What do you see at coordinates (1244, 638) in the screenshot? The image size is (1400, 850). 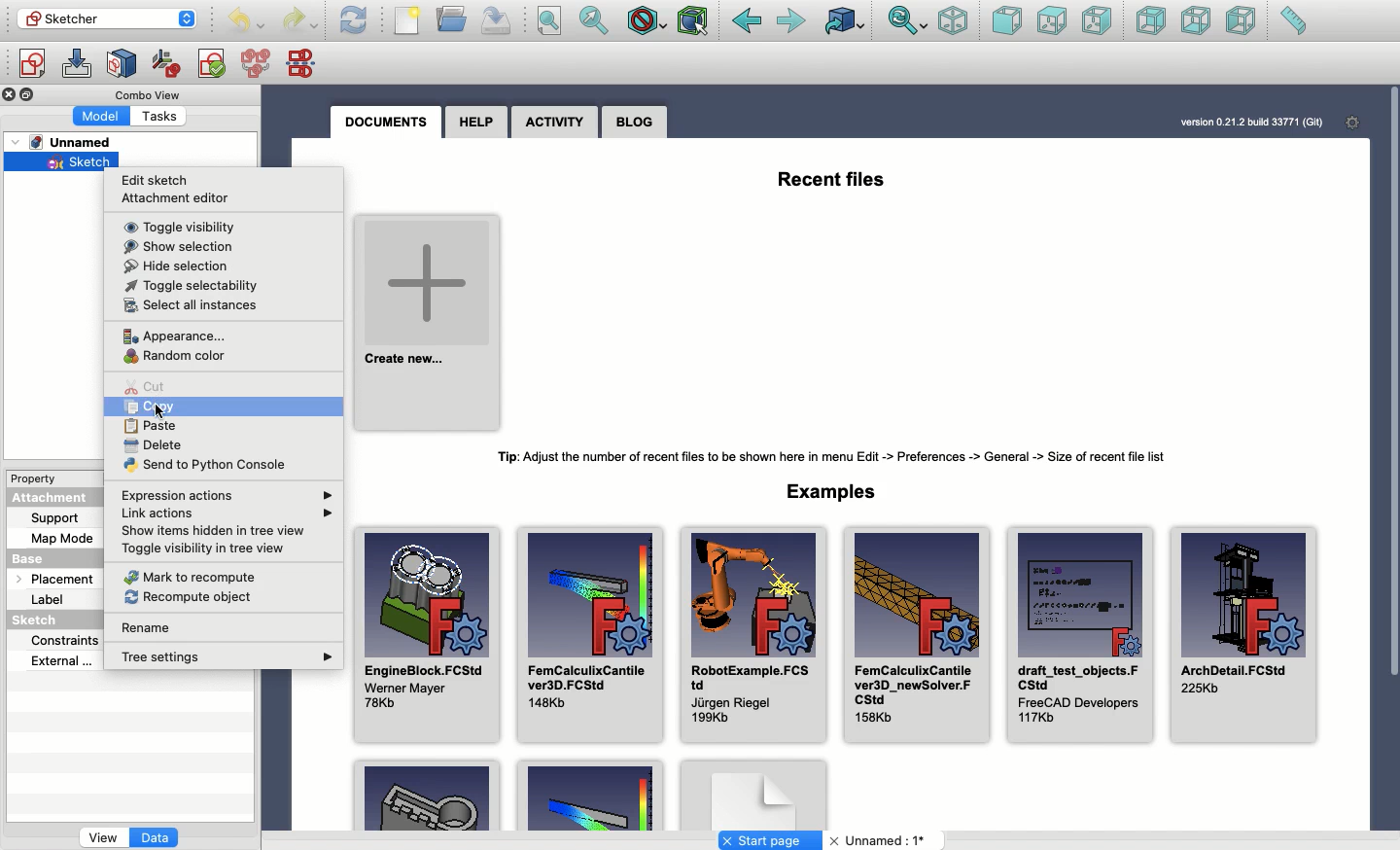 I see `ArchDetail` at bounding box center [1244, 638].